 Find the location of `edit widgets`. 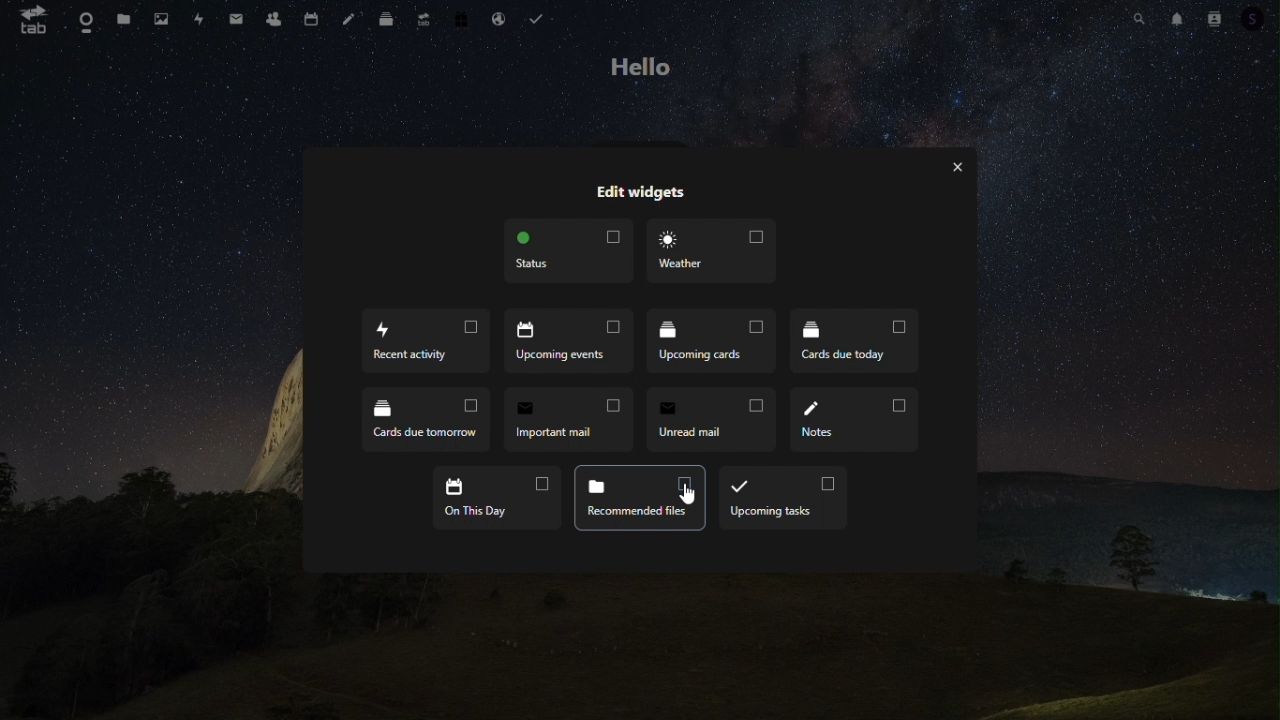

edit widgets is located at coordinates (638, 194).